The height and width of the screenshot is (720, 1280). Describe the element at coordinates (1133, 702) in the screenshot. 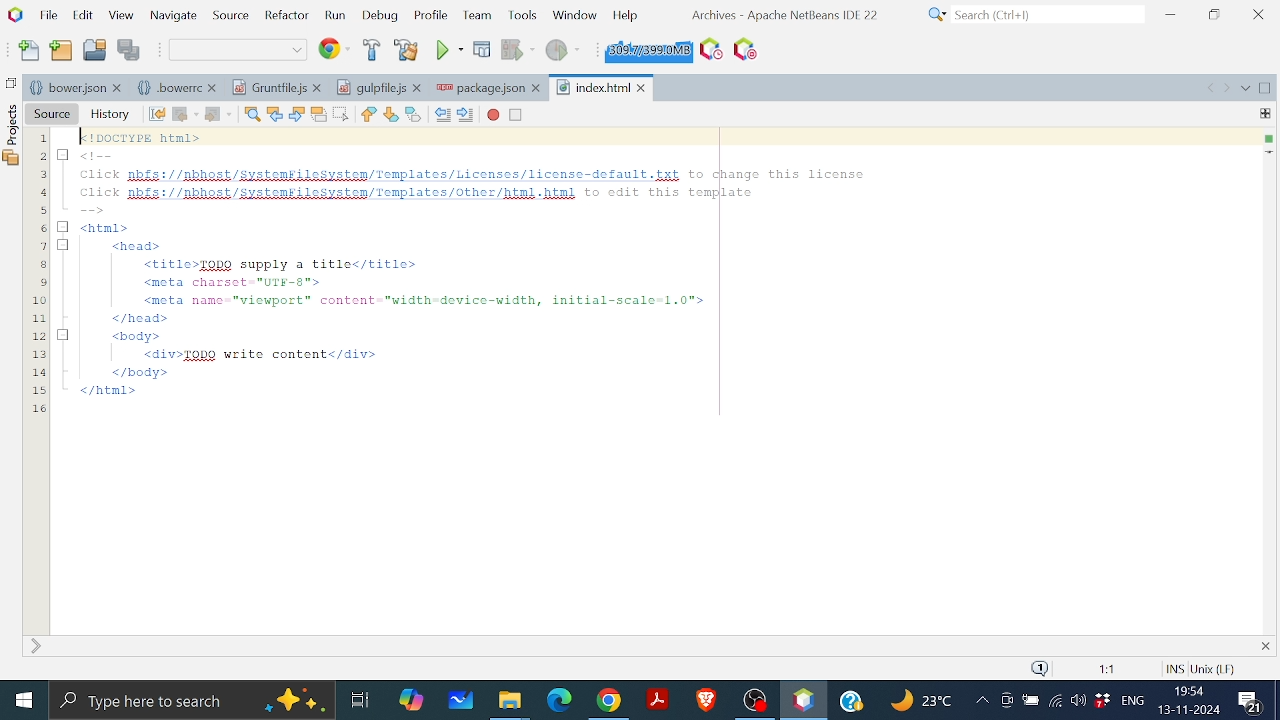

I see `languge` at that location.